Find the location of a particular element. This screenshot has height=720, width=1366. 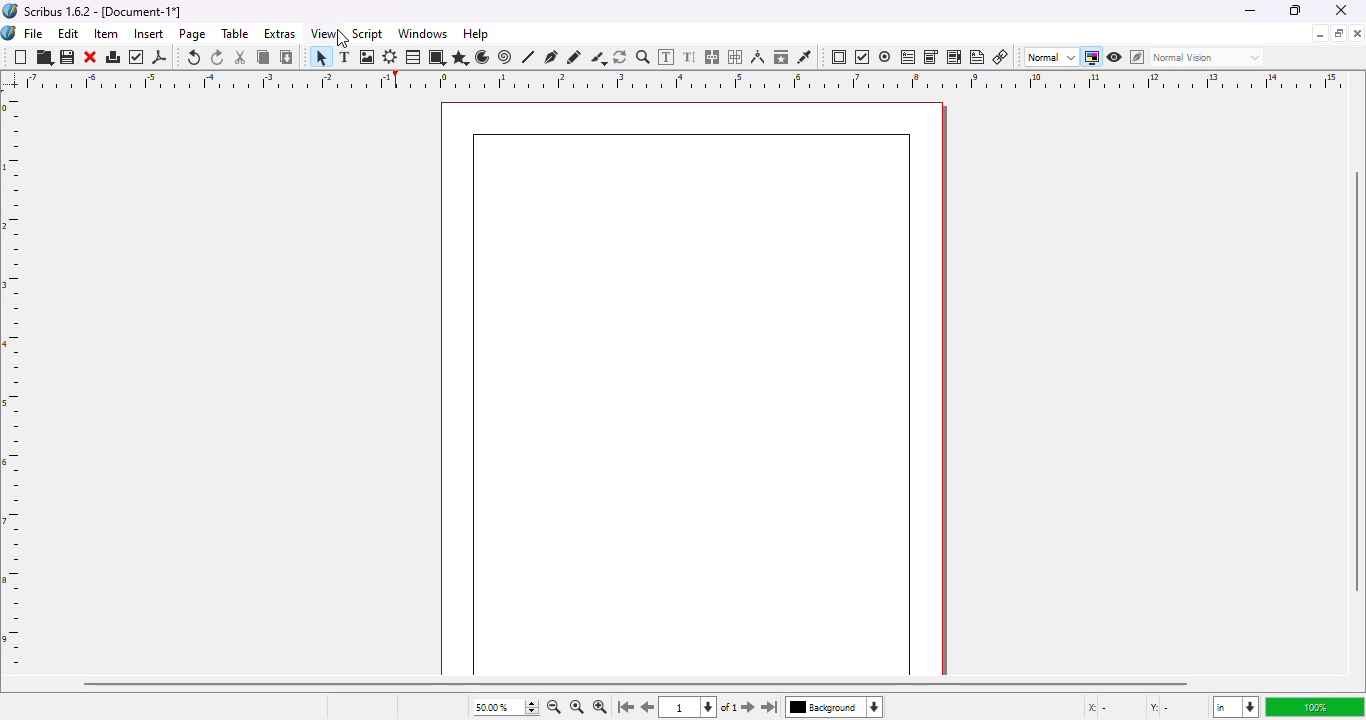

logo is located at coordinates (10, 10).